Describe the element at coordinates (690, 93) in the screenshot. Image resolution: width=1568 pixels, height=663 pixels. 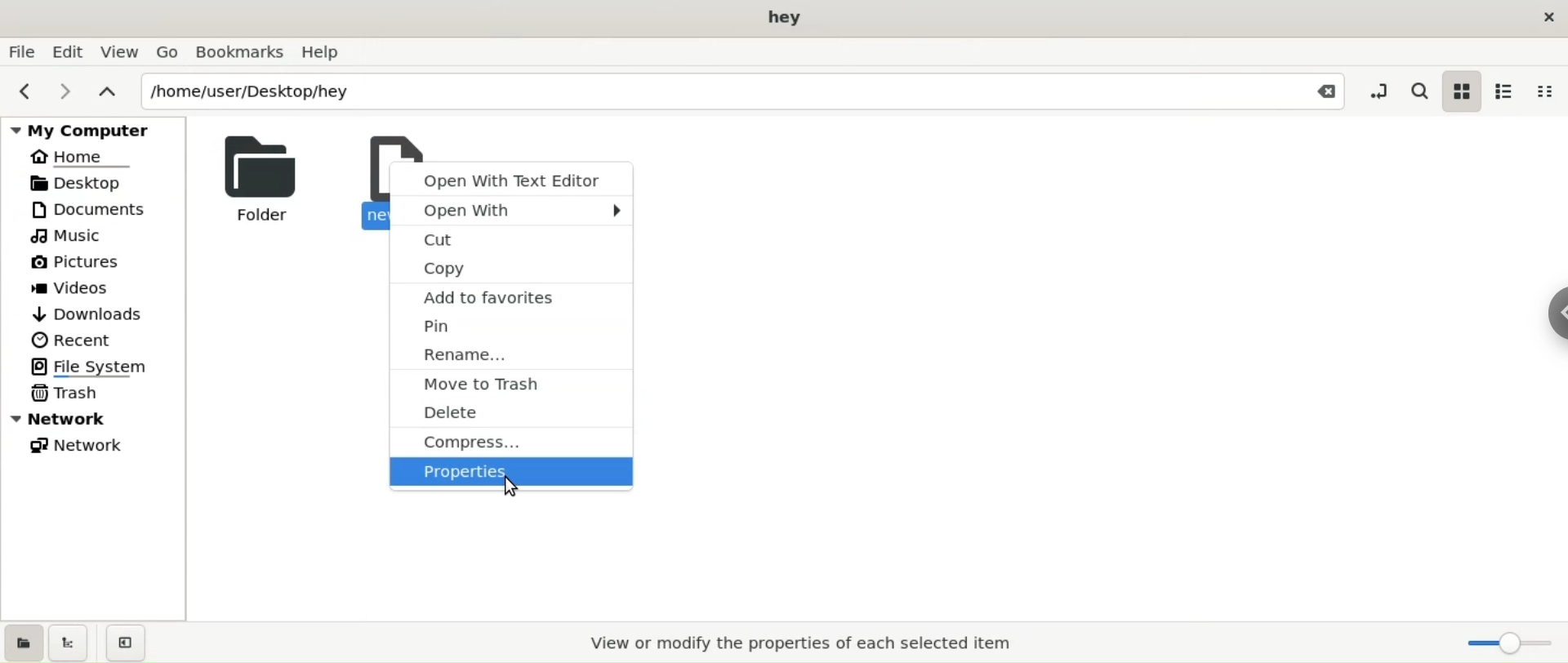
I see `/home/user/Desktop/hey` at that location.